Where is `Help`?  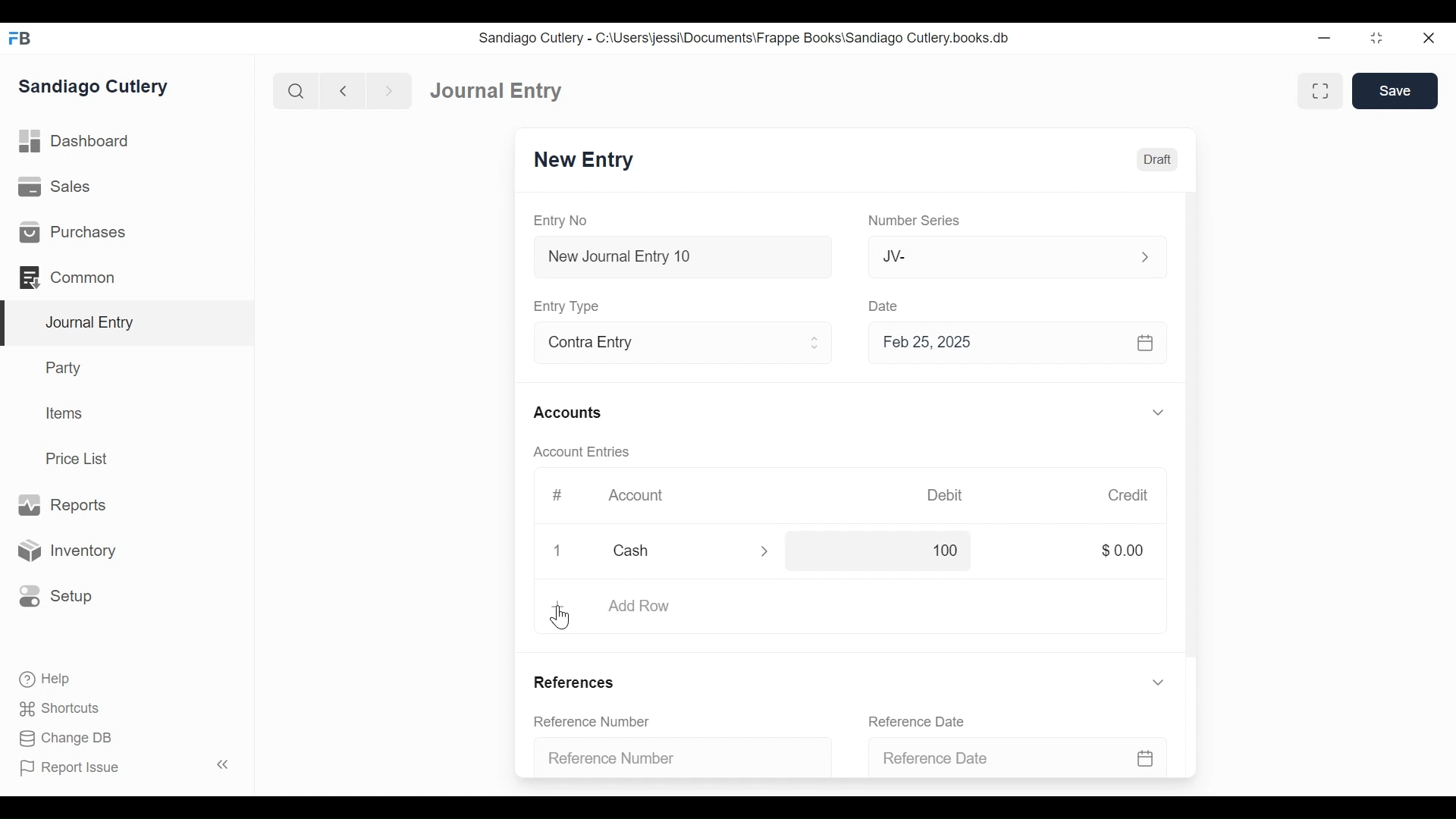 Help is located at coordinates (42, 677).